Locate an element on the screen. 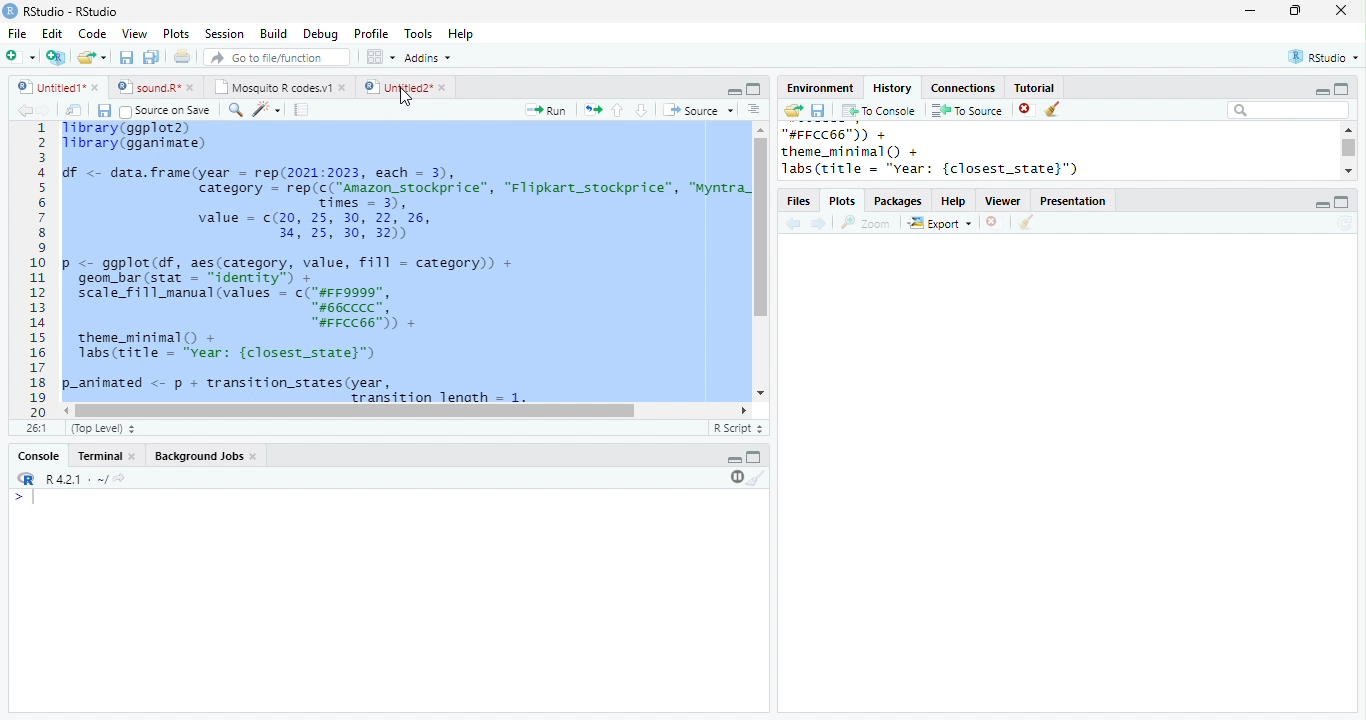 Image resolution: width=1366 pixels, height=720 pixels. Tutorial is located at coordinates (1035, 88).